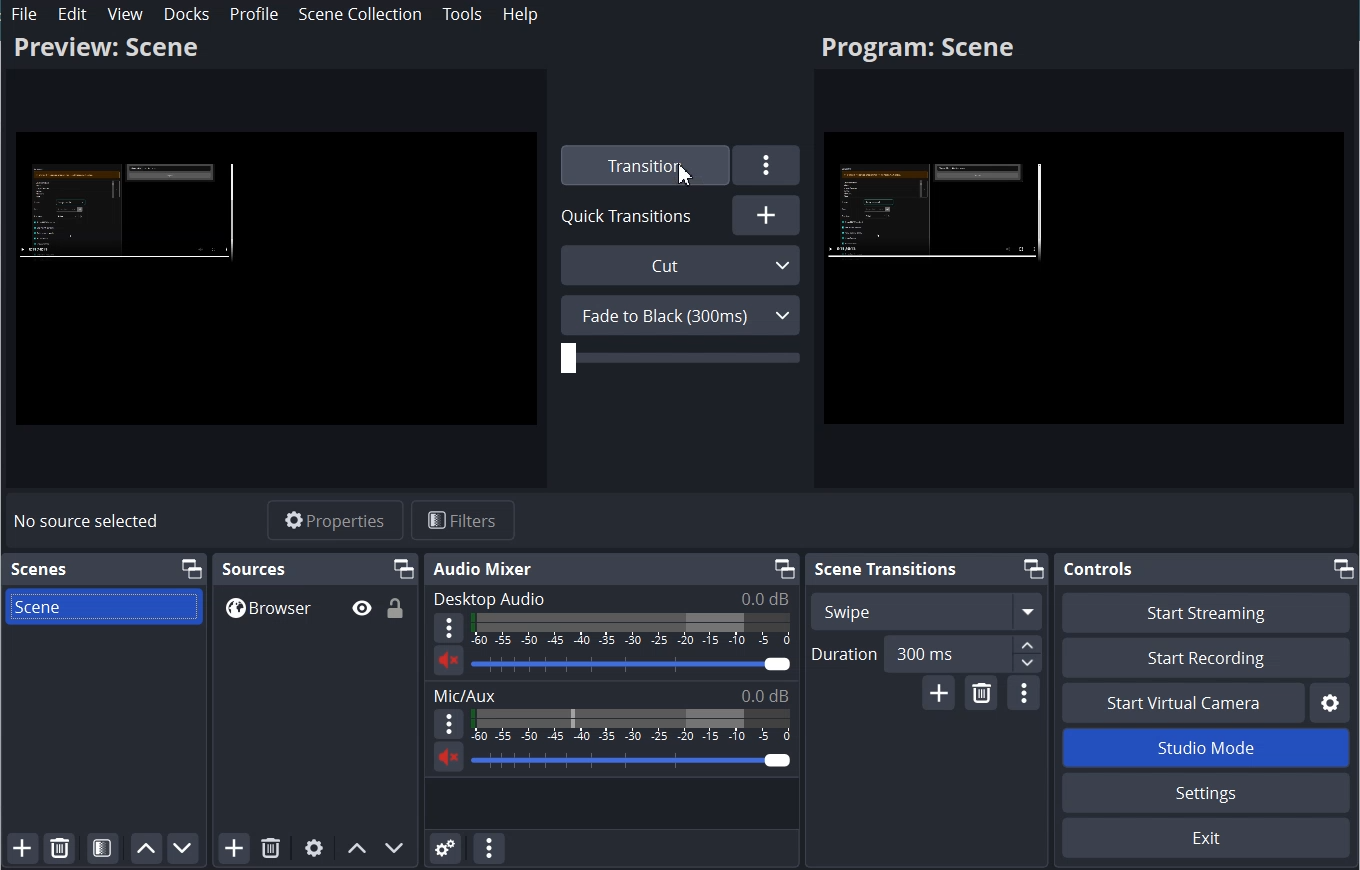  What do you see at coordinates (926, 655) in the screenshot?
I see `Duration` at bounding box center [926, 655].